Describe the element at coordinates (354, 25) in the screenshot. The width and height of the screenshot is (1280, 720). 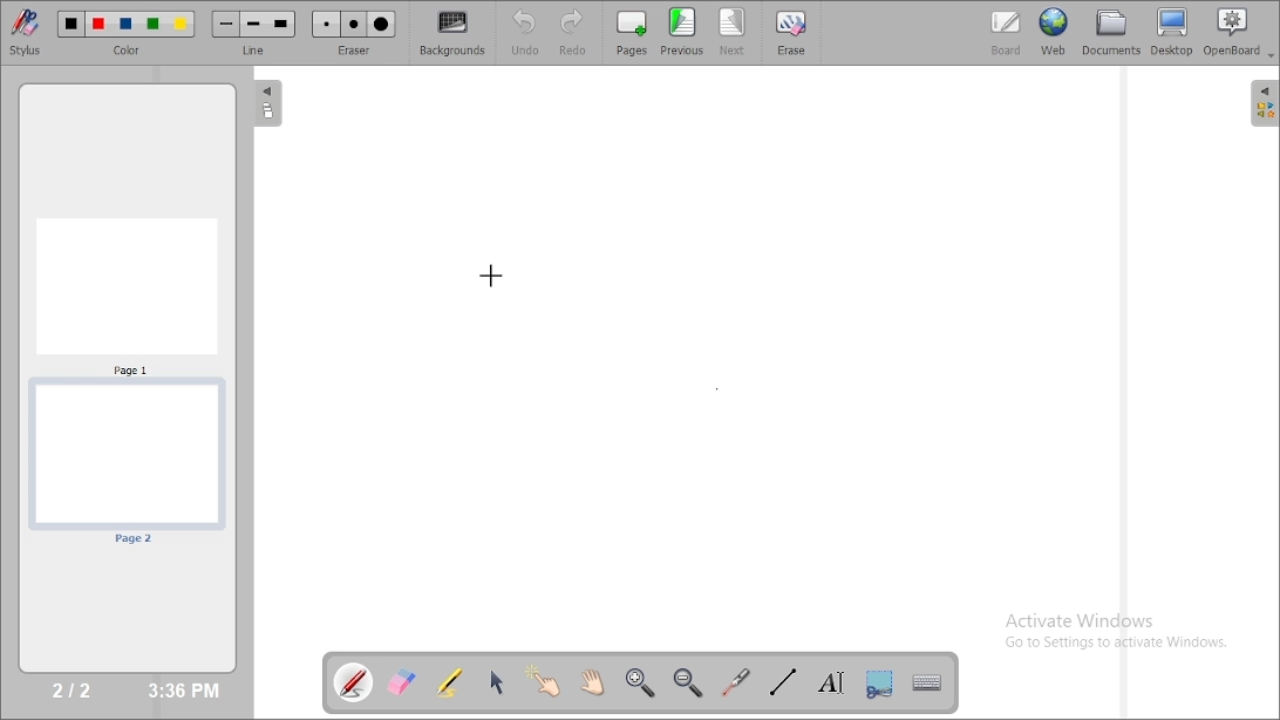
I see `Medium eraser` at that location.